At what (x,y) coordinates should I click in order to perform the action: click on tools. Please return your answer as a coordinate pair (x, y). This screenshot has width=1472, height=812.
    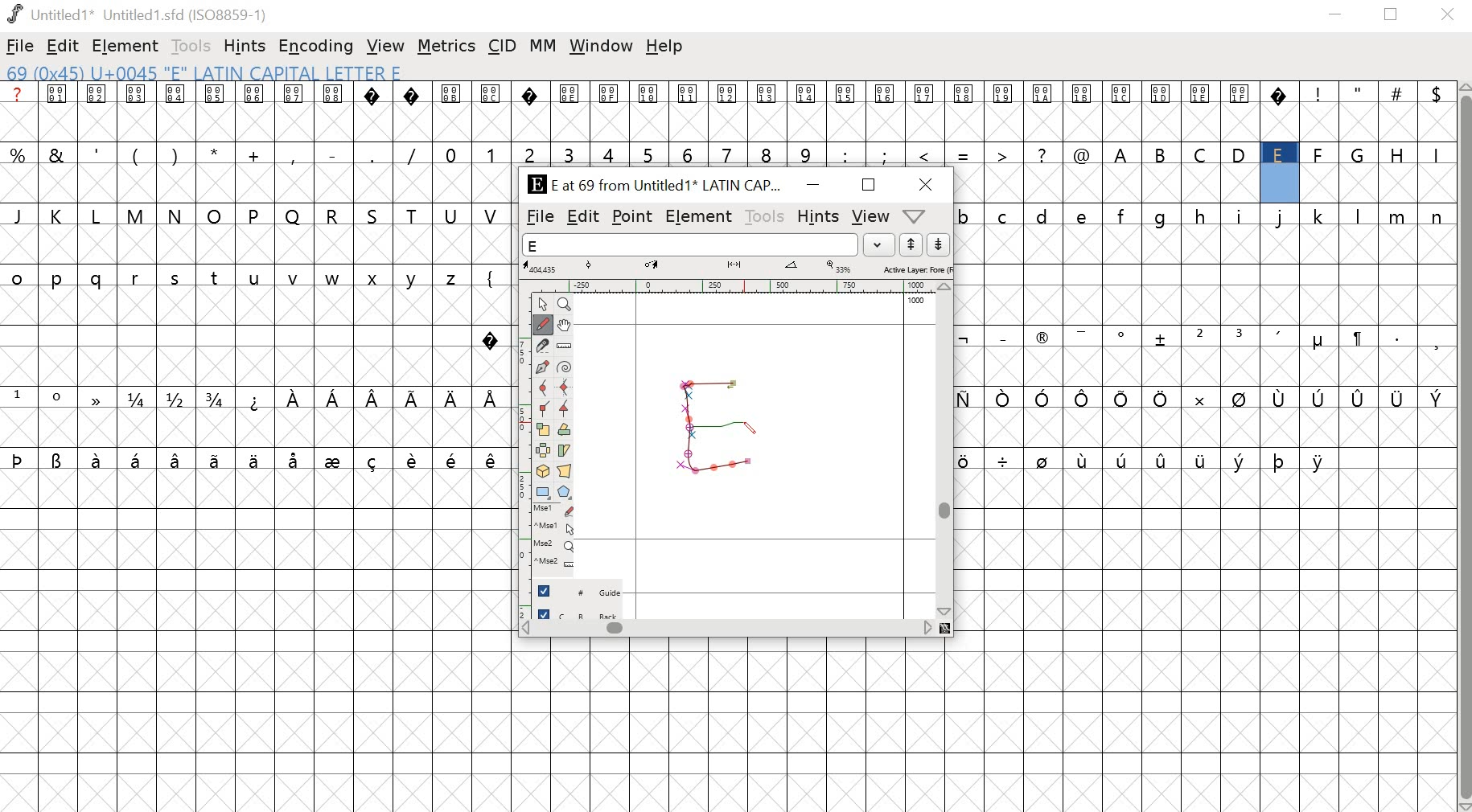
    Looking at the image, I should click on (191, 46).